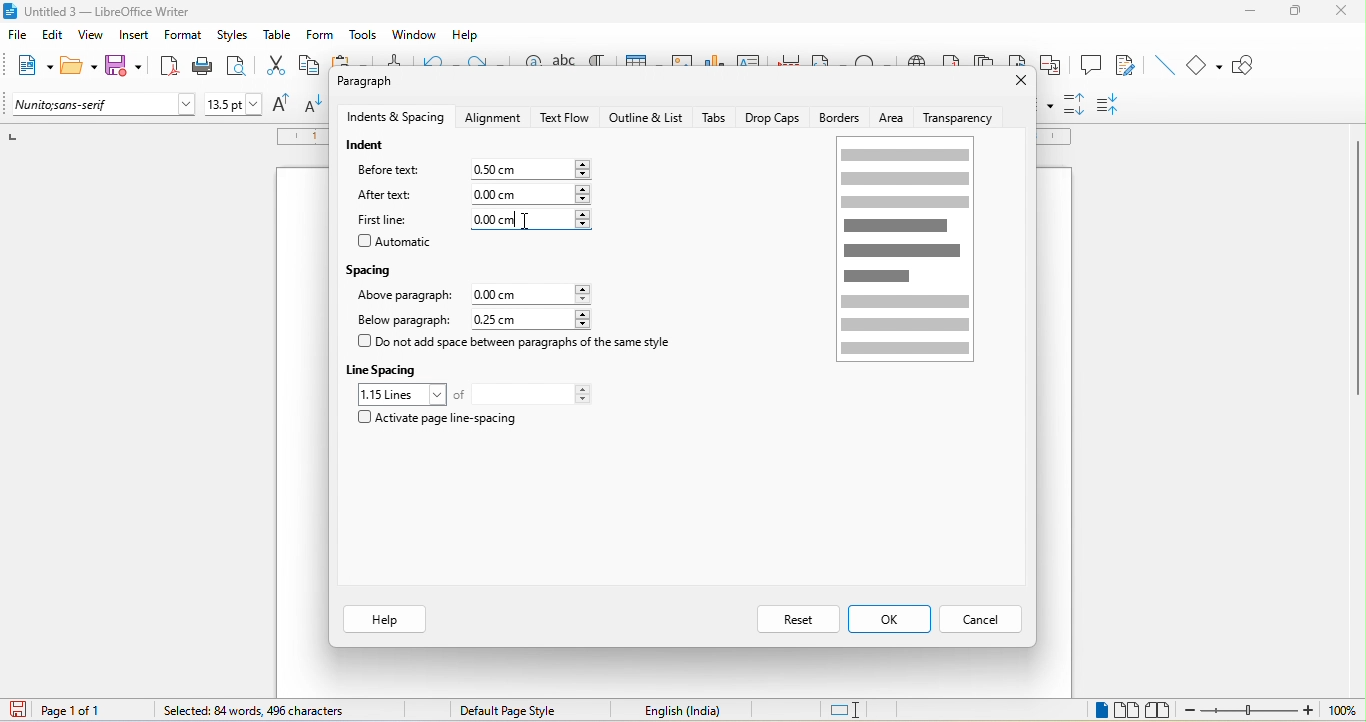 This screenshot has width=1366, height=722. I want to click on table, so click(278, 34).